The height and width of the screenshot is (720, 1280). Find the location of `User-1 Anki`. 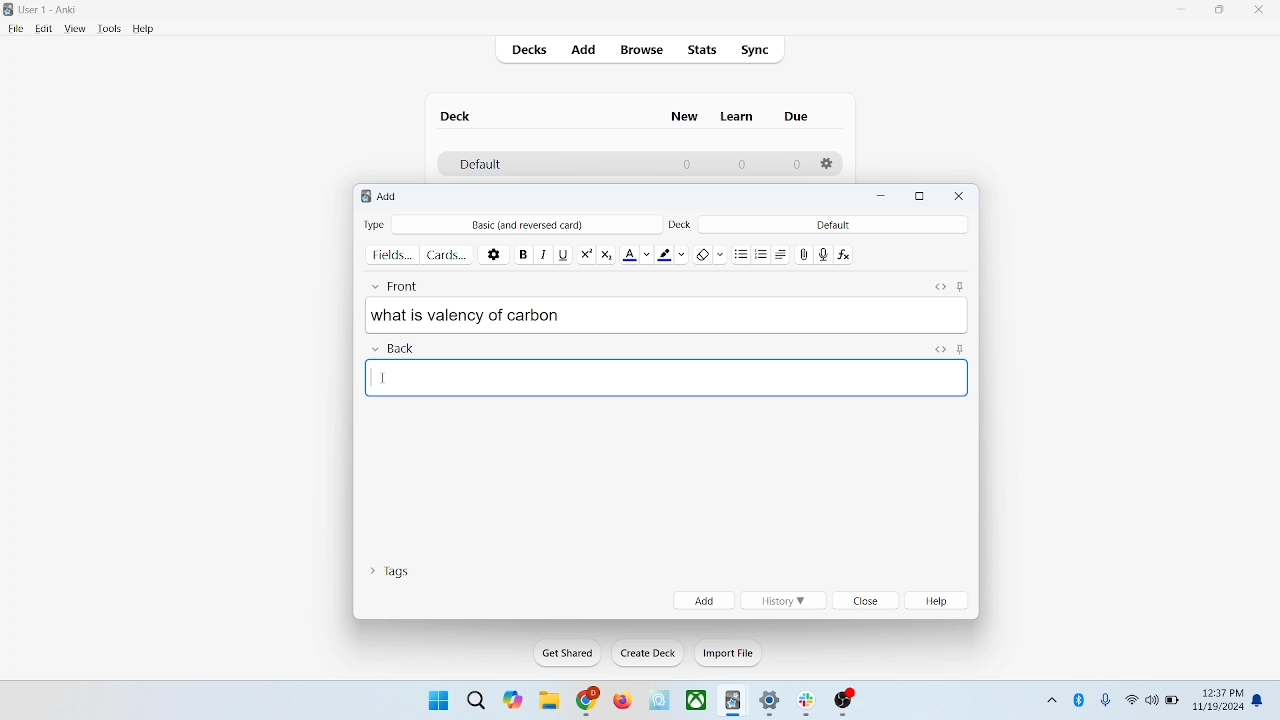

User-1 Anki is located at coordinates (52, 11).